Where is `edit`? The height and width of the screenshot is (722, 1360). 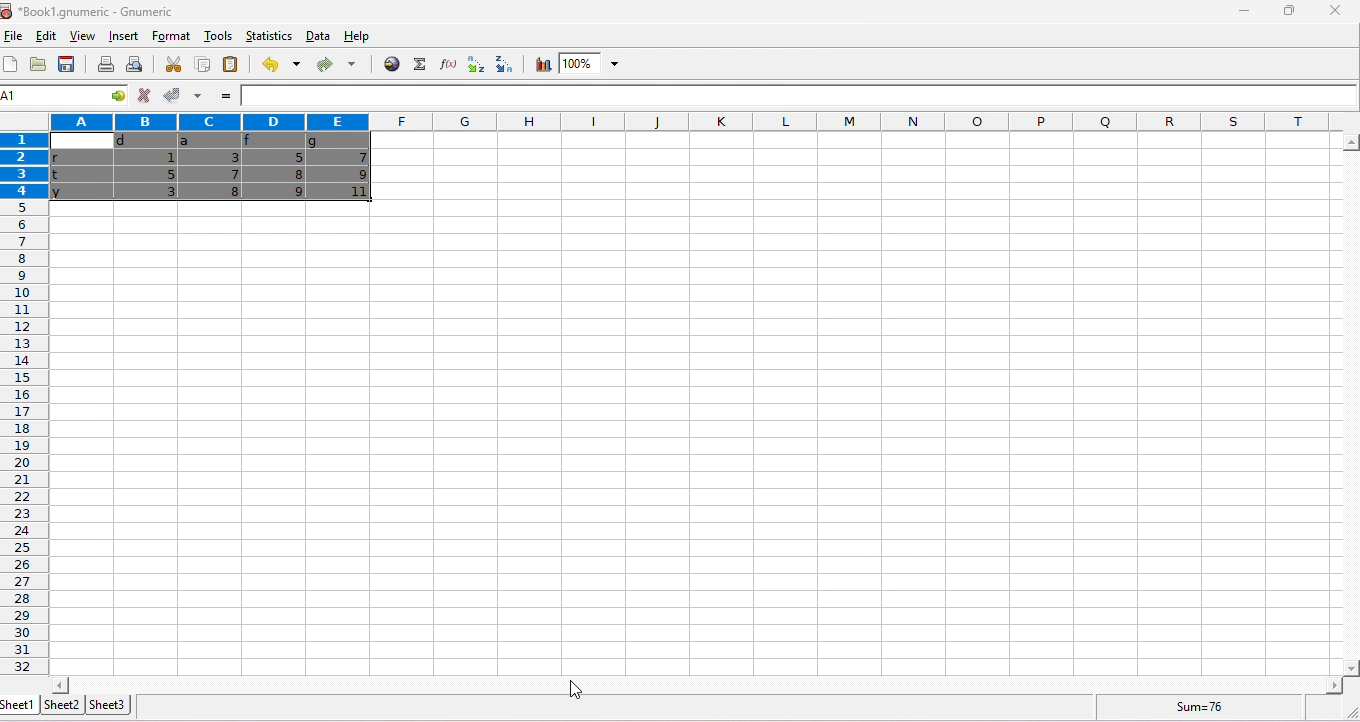
edit is located at coordinates (43, 37).